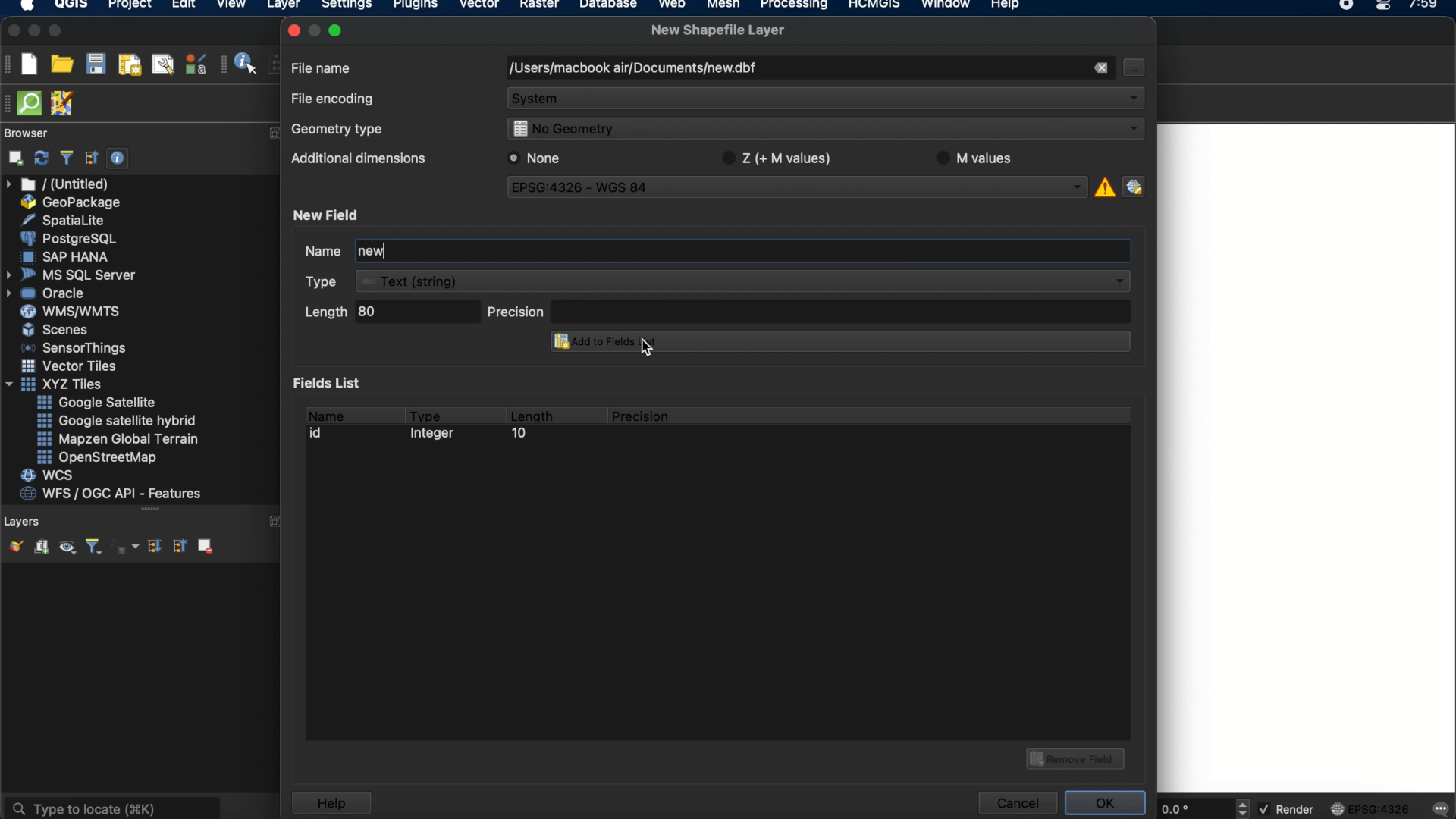  I want to click on remove, so click(1100, 68).